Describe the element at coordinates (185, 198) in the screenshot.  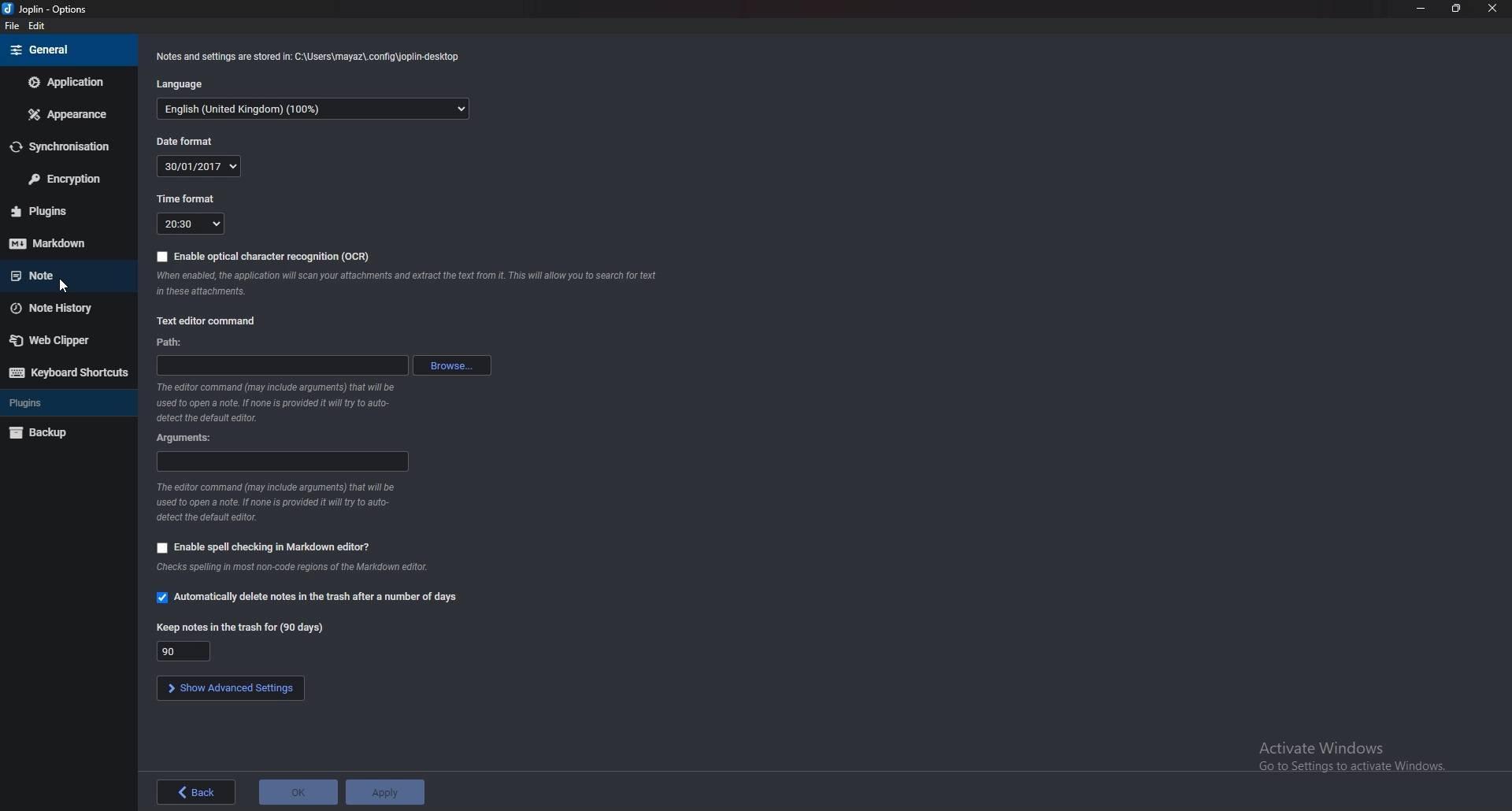
I see `Time format` at that location.